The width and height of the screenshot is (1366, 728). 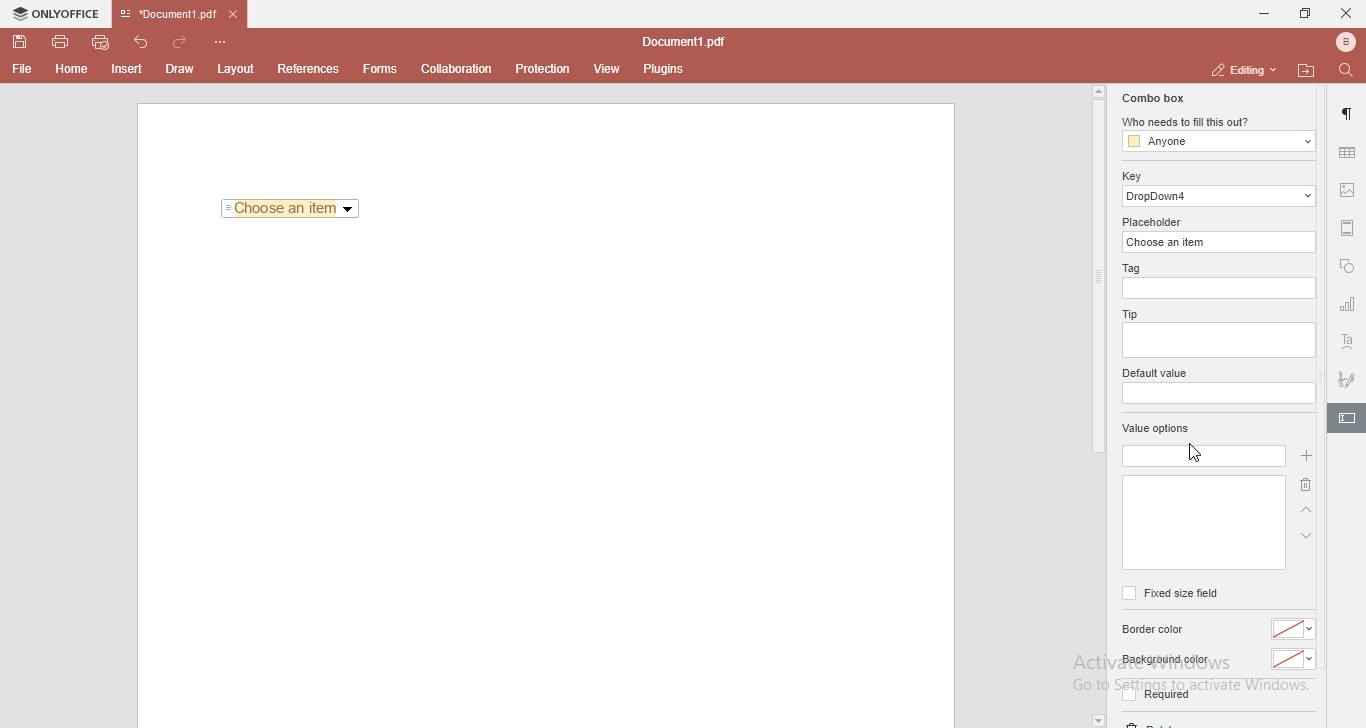 What do you see at coordinates (1220, 196) in the screenshot?
I see `dropdown 4` at bounding box center [1220, 196].